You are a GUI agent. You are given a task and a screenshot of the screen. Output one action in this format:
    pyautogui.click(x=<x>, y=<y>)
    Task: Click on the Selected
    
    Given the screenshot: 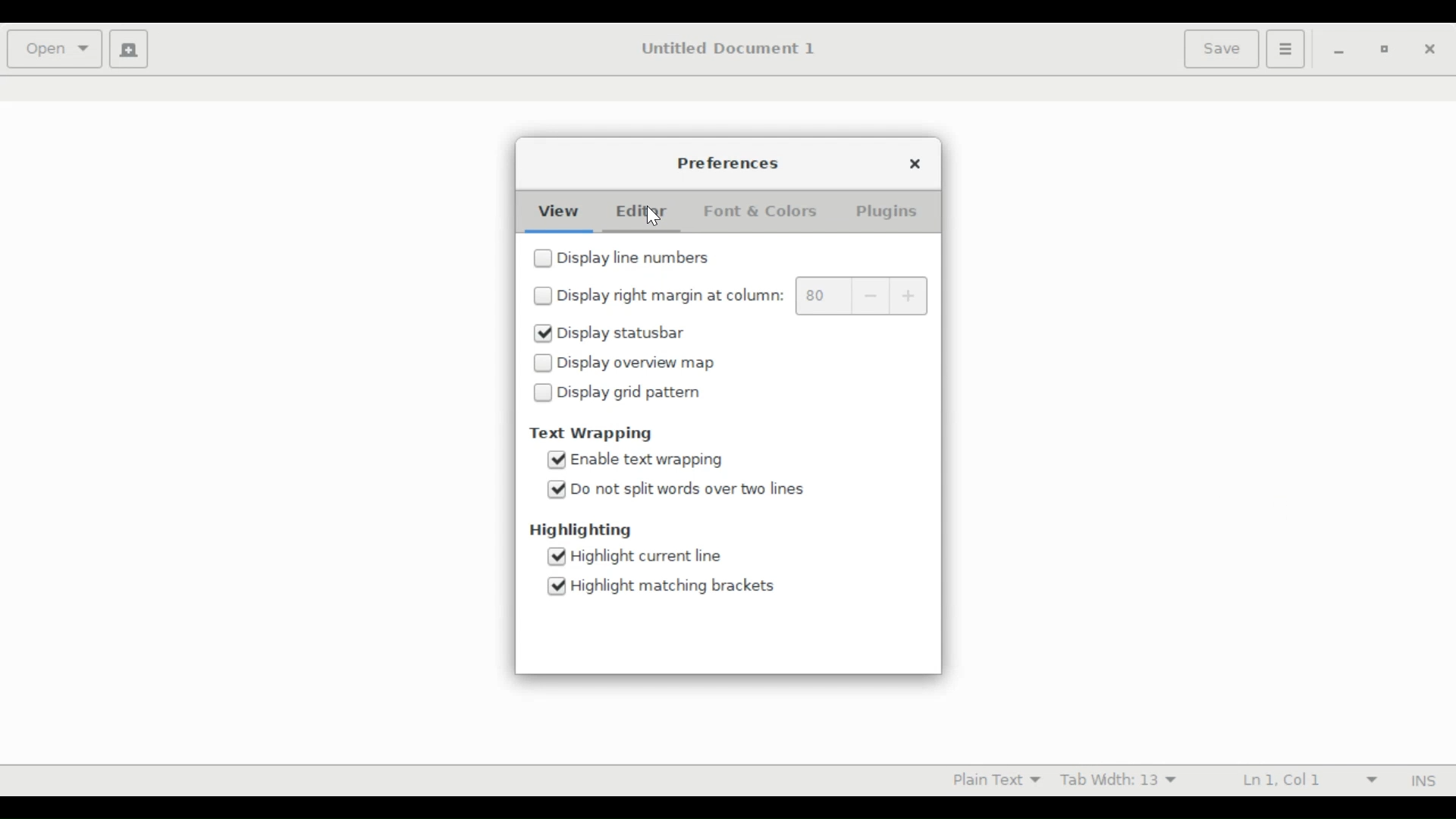 What is the action you would take?
    pyautogui.click(x=559, y=460)
    